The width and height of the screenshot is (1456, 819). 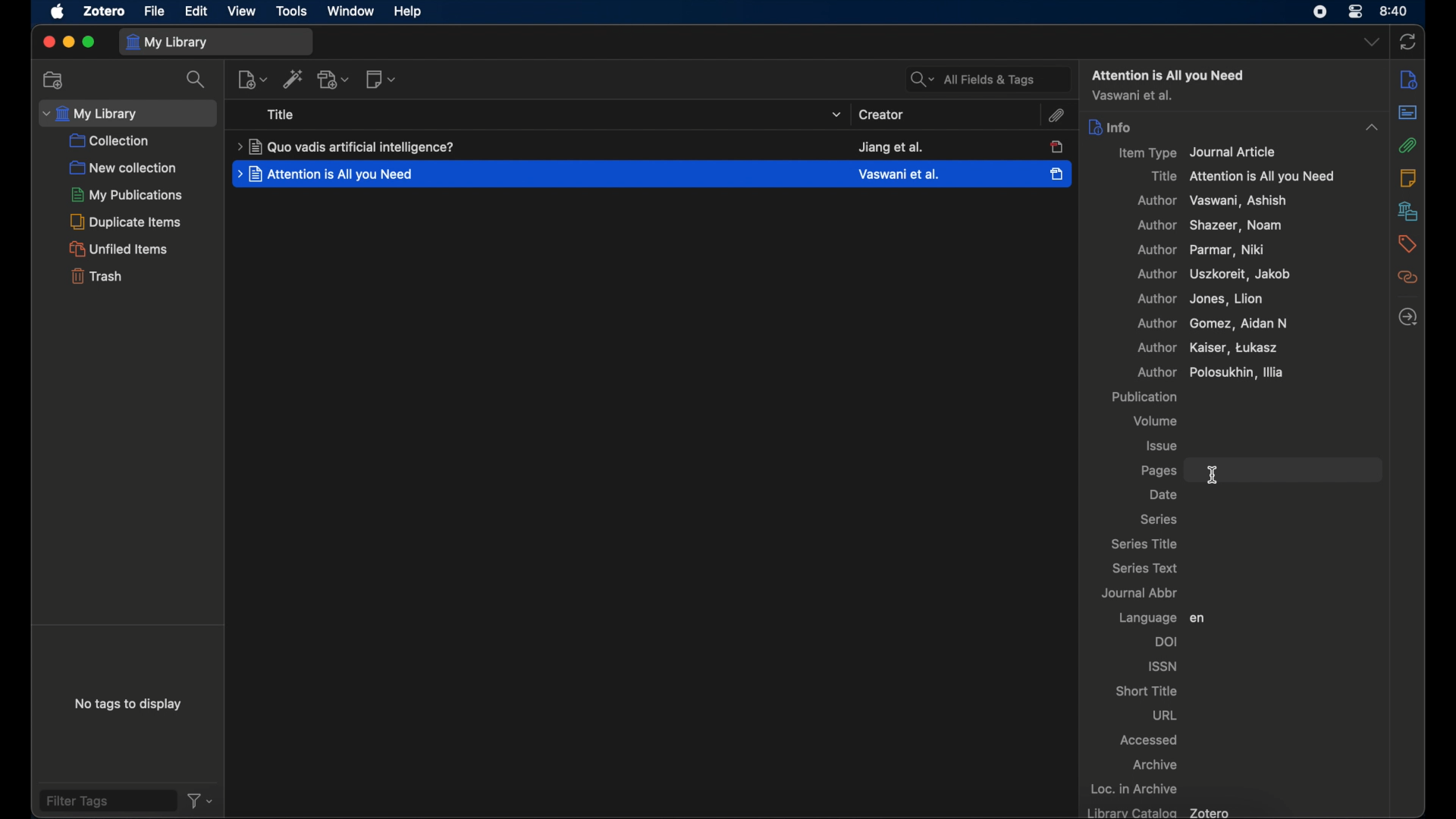 I want to click on accessed, so click(x=1150, y=741).